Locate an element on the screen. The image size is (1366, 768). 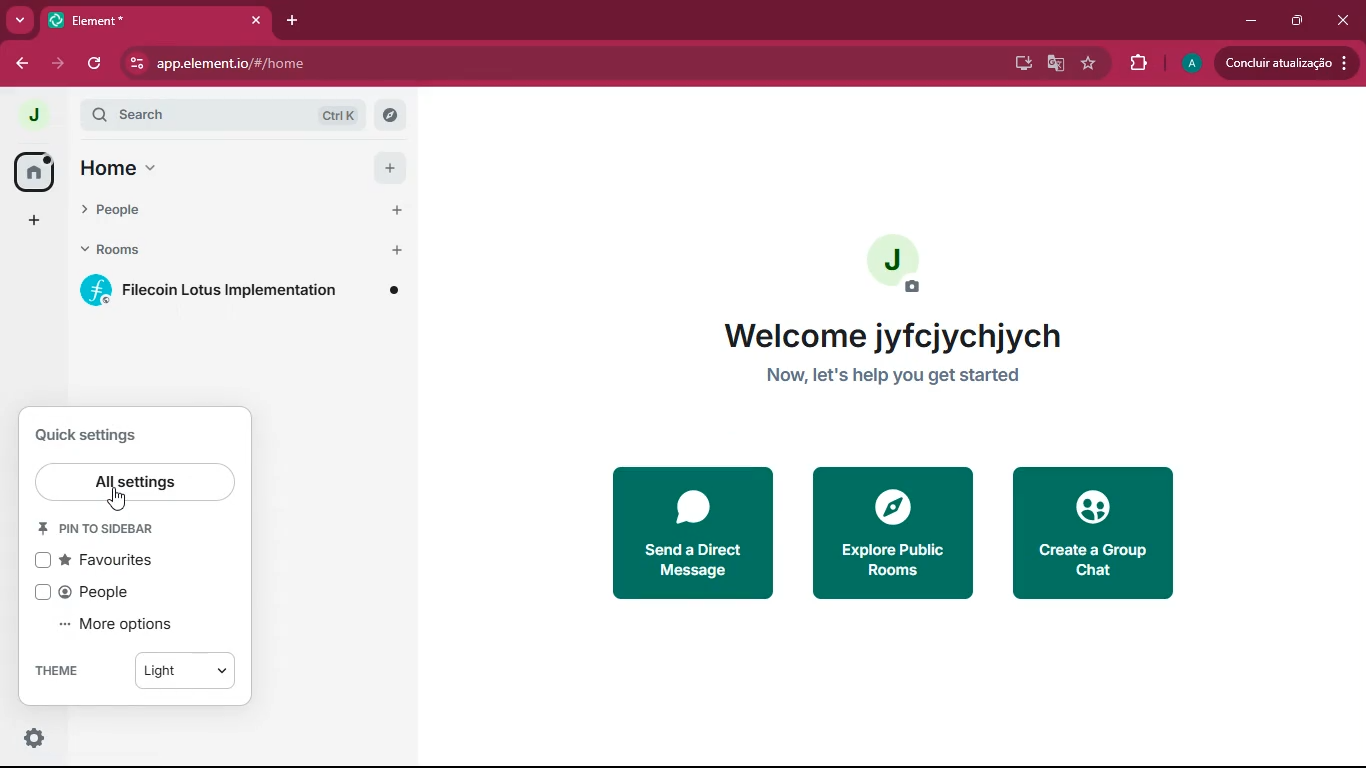
search ctrl k is located at coordinates (234, 115).